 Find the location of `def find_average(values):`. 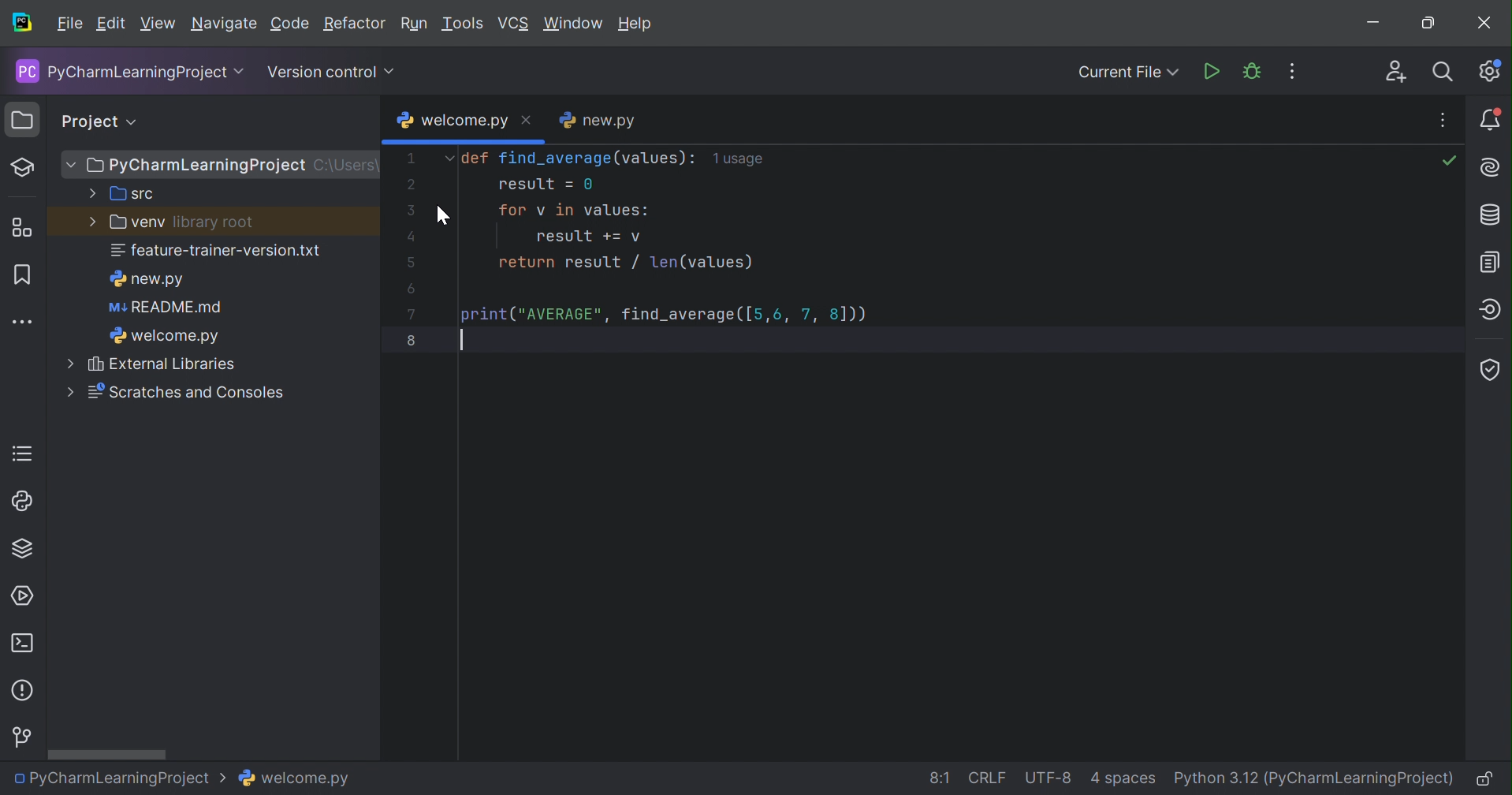

def find_average(values): is located at coordinates (569, 159).